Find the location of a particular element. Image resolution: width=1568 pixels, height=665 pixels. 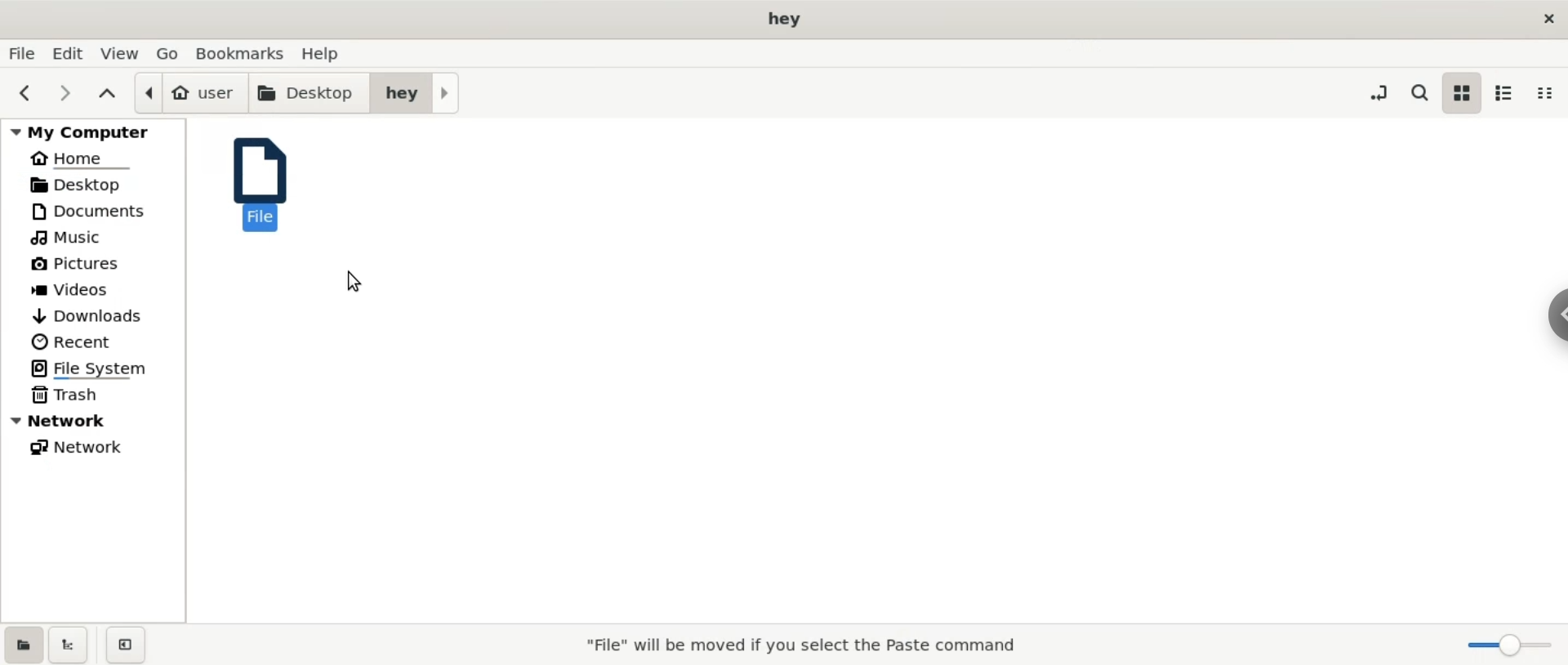

view is located at coordinates (118, 54).